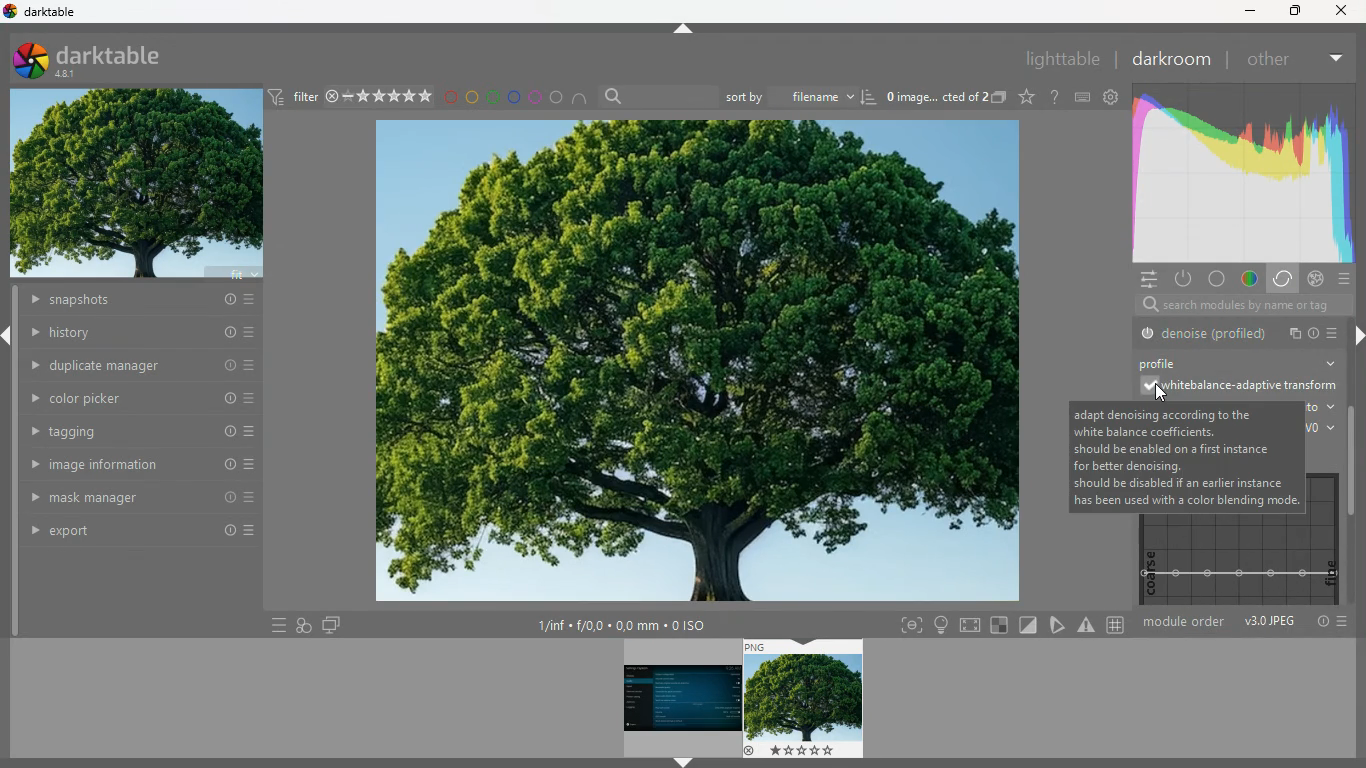 This screenshot has height=768, width=1366. Describe the element at coordinates (1260, 305) in the screenshot. I see `search` at that location.